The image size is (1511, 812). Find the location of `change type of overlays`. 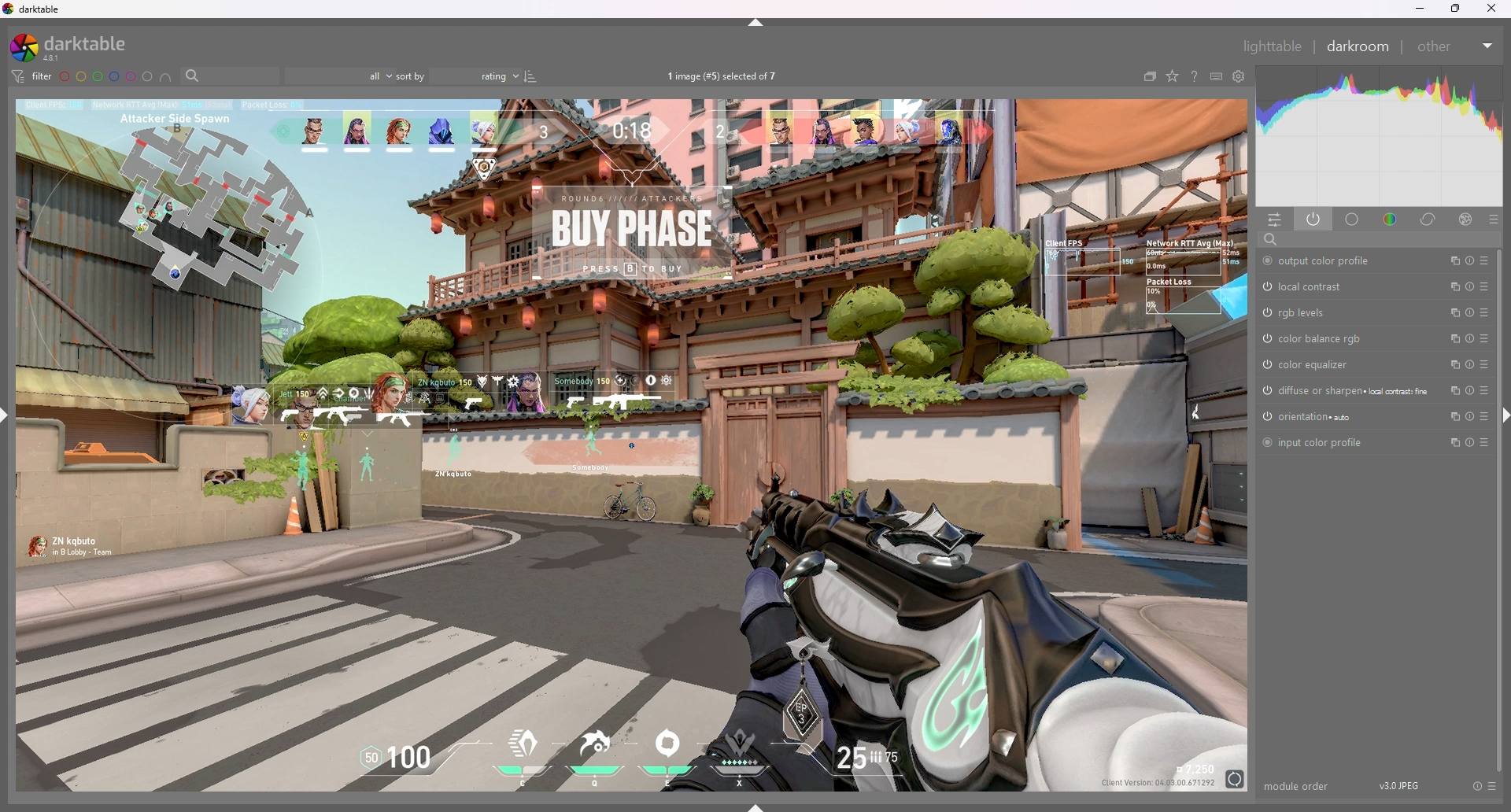

change type of overlays is located at coordinates (1173, 76).